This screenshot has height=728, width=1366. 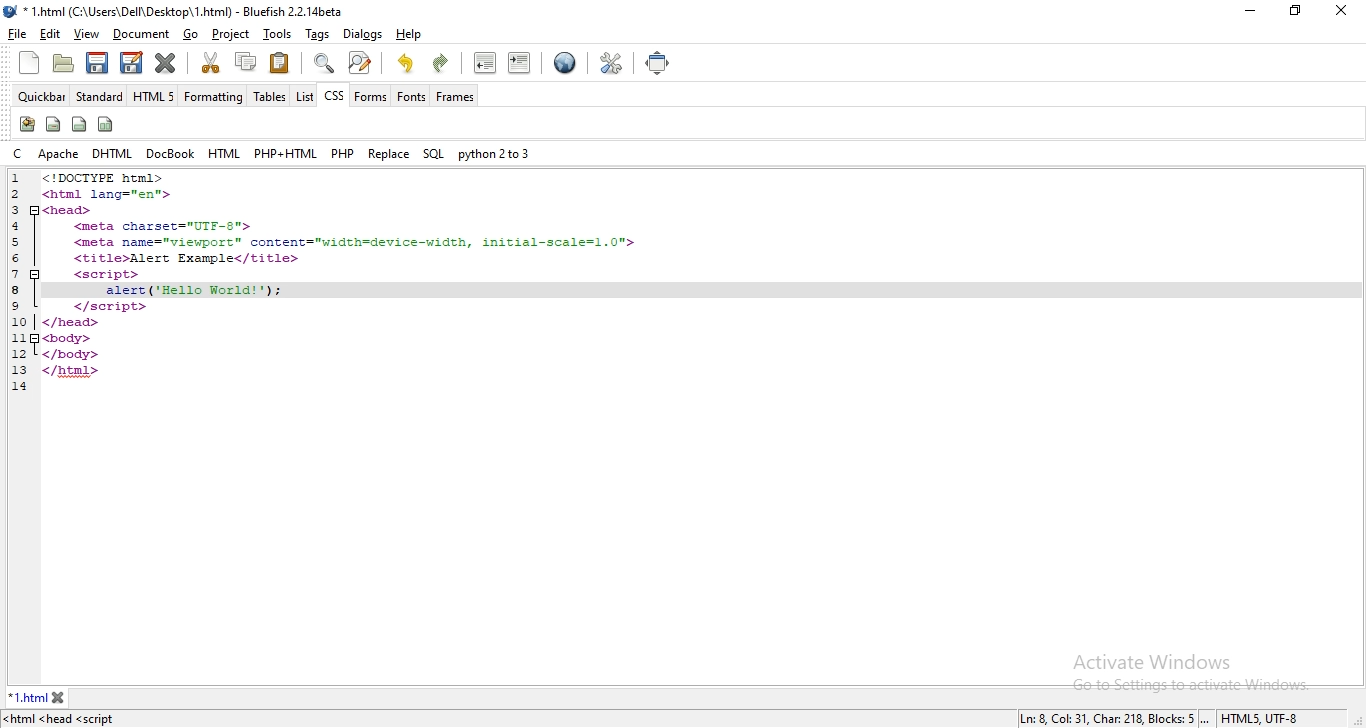 I want to click on zoom, so click(x=321, y=63).